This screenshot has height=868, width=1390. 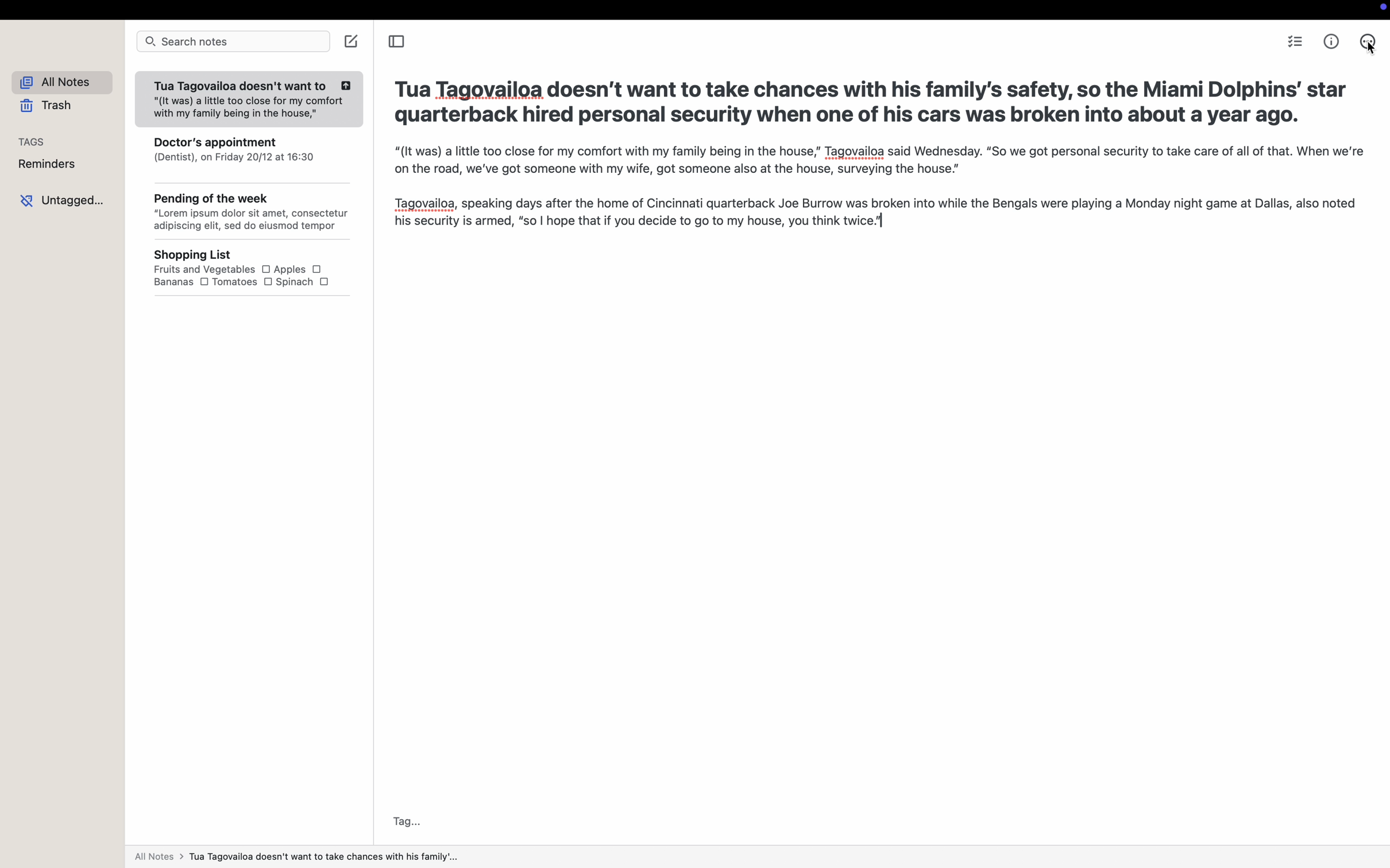 What do you see at coordinates (411, 821) in the screenshot?
I see `tag` at bounding box center [411, 821].